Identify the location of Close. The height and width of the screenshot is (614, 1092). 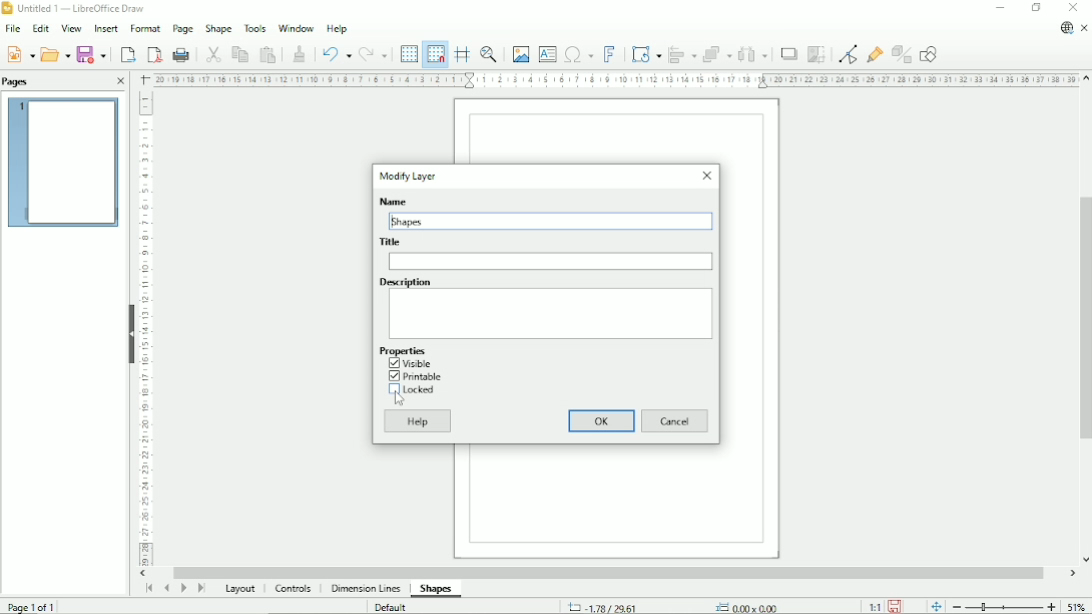
(706, 176).